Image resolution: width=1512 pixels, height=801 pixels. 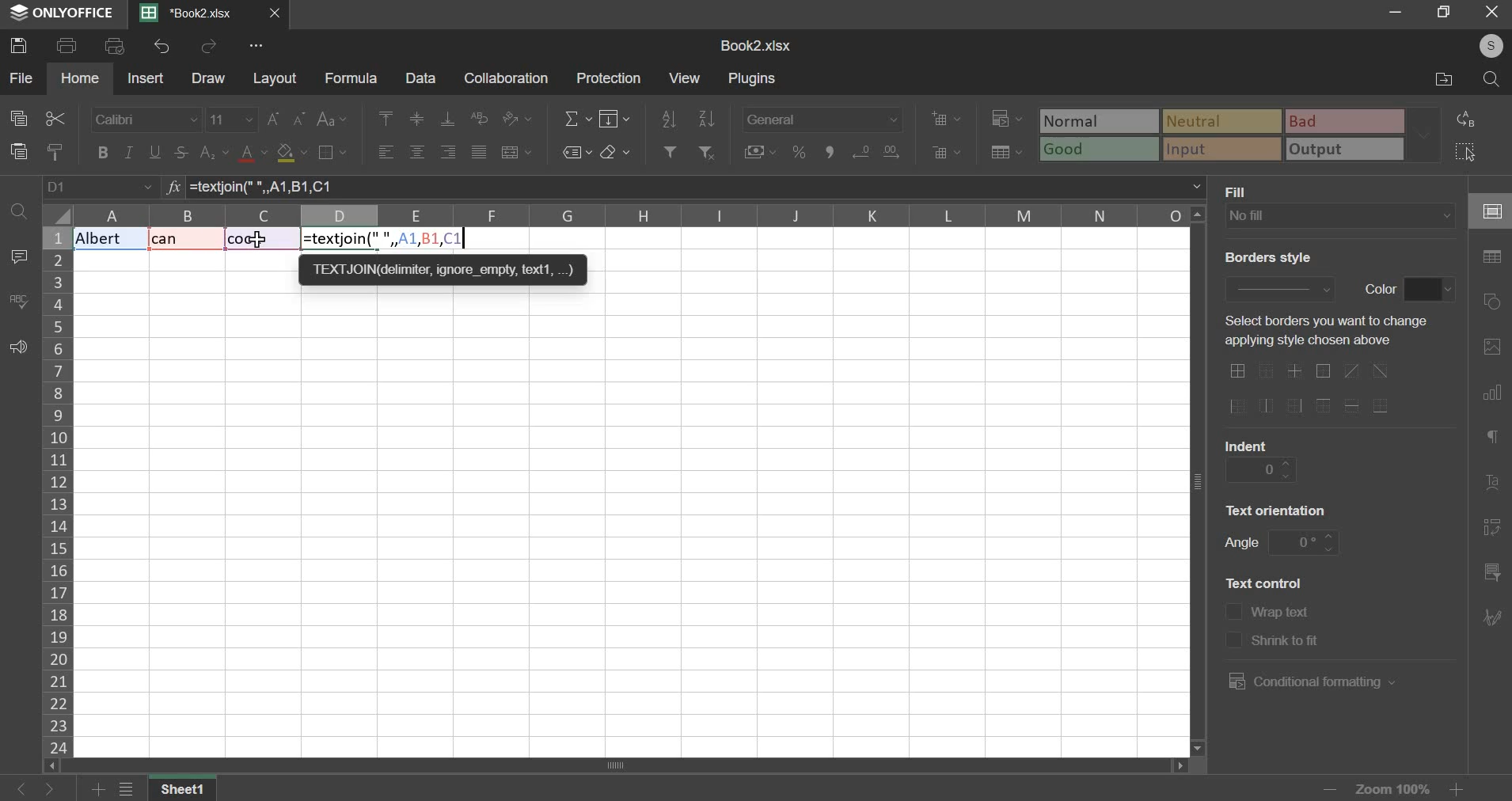 What do you see at coordinates (1494, 79) in the screenshot?
I see `search` at bounding box center [1494, 79].